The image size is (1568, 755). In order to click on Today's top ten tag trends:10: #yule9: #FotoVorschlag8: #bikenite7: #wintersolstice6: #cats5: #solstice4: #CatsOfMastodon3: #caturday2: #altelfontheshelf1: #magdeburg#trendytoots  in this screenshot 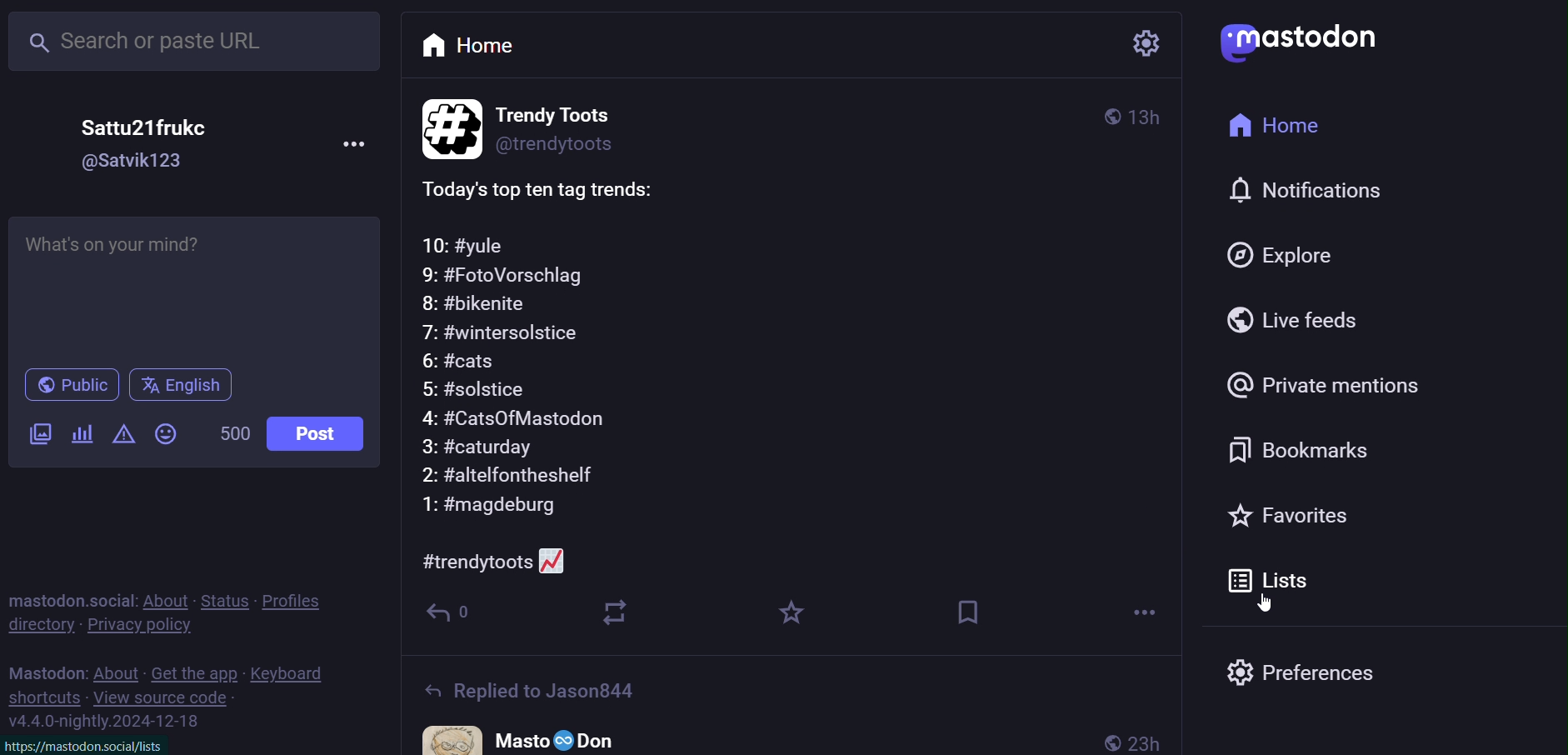, I will do `click(786, 377)`.